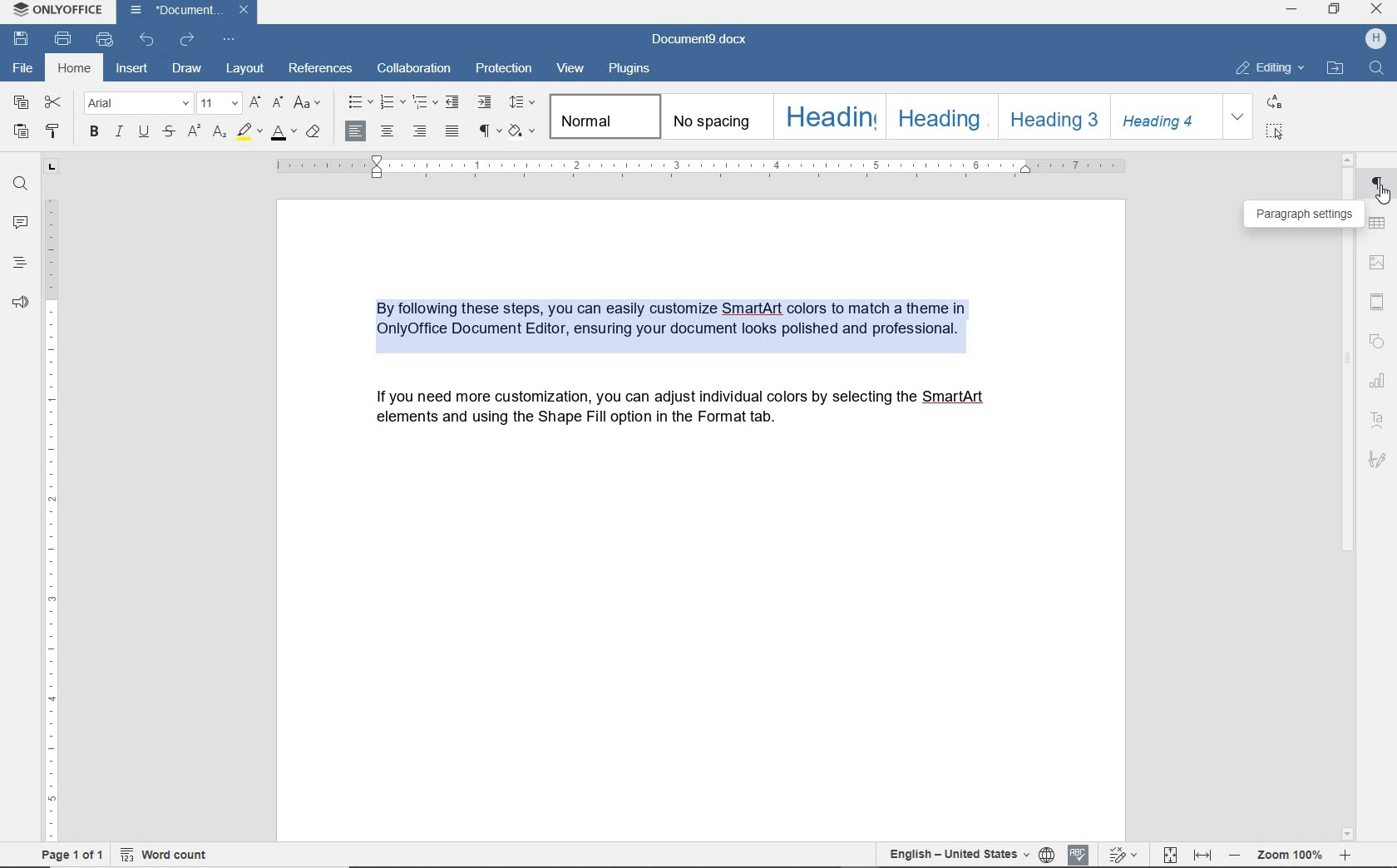 This screenshot has width=1397, height=868. Describe the element at coordinates (137, 102) in the screenshot. I see `font` at that location.